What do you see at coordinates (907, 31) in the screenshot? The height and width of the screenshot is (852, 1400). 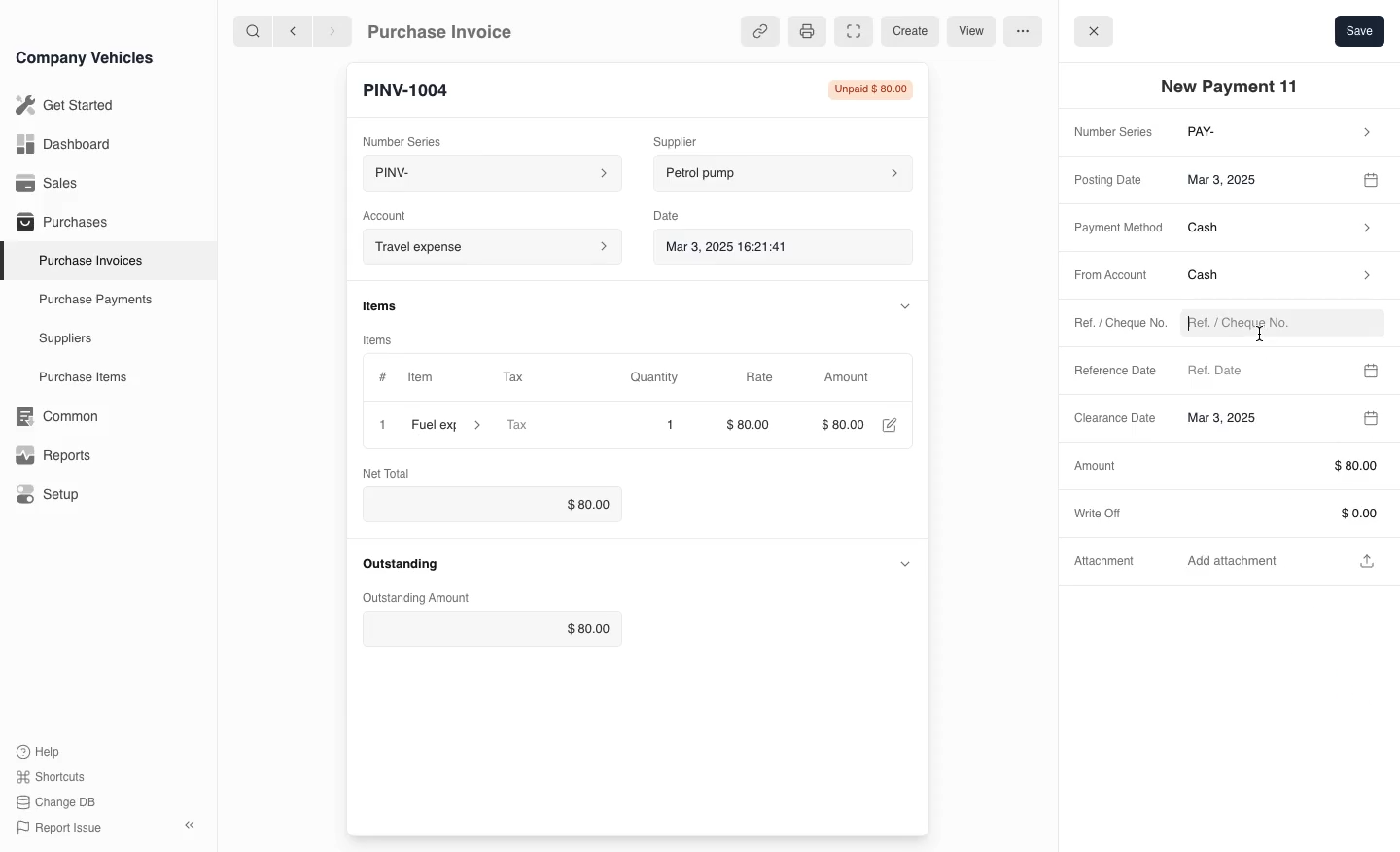 I see `create` at bounding box center [907, 31].